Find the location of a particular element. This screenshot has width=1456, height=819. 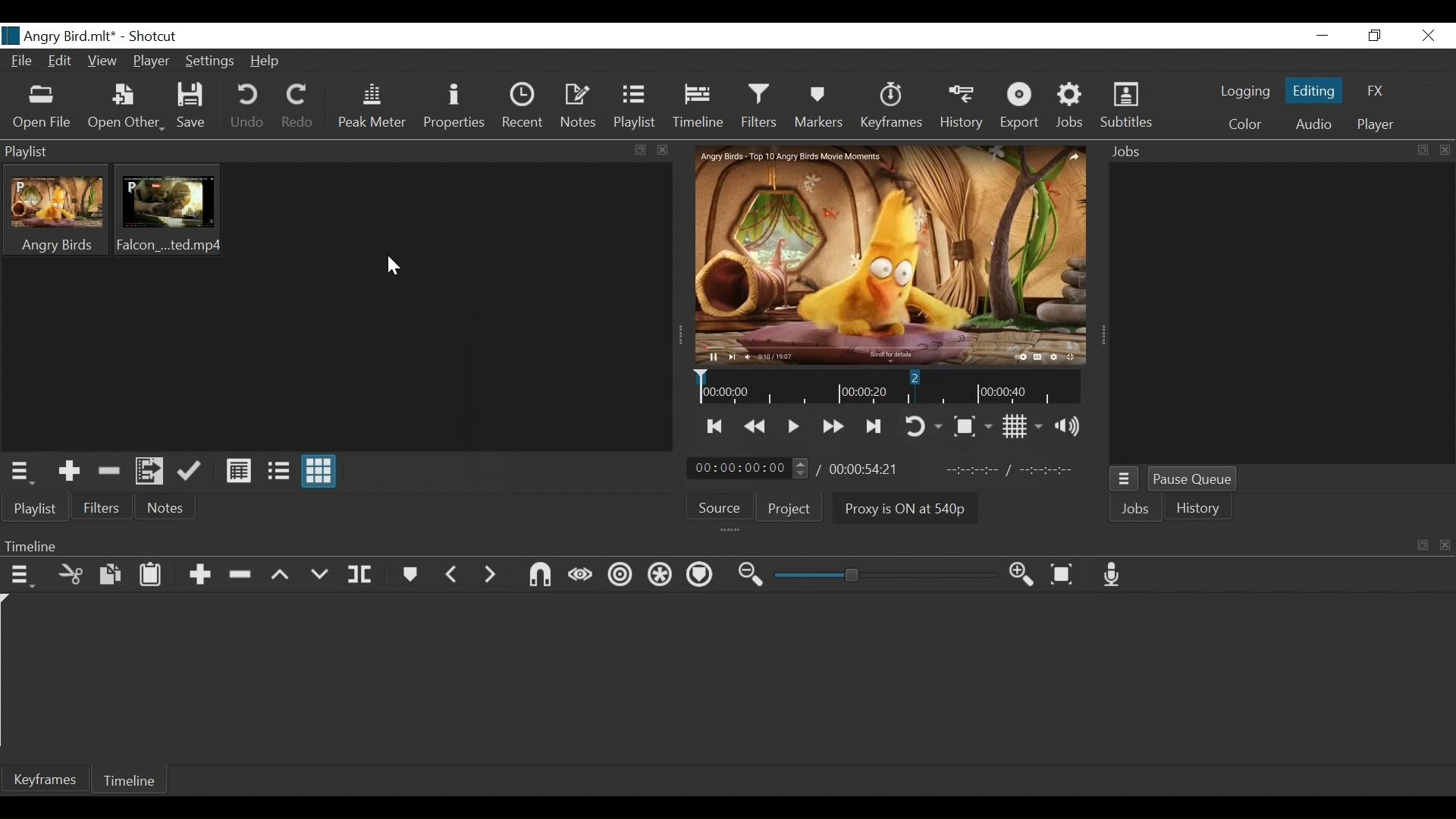

File name is located at coordinates (62, 35).